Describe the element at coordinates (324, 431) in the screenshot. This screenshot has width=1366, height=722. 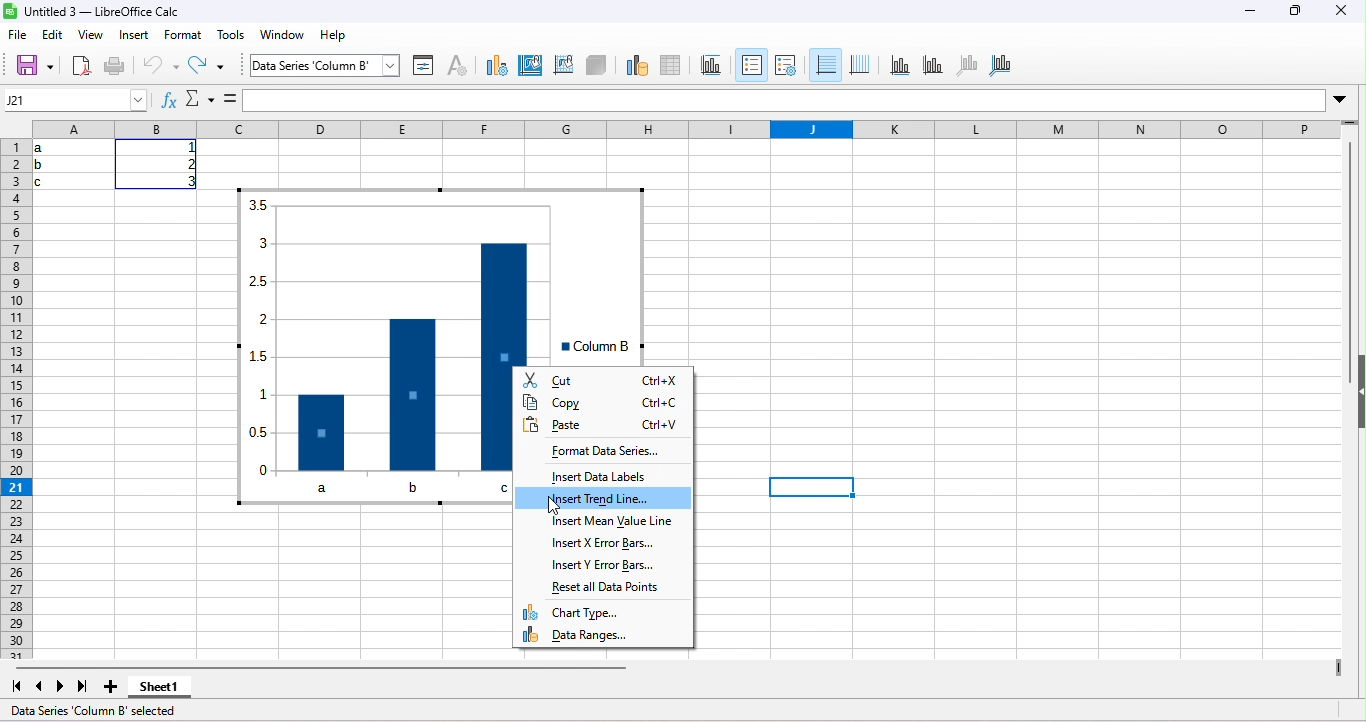
I see `data point1` at that location.